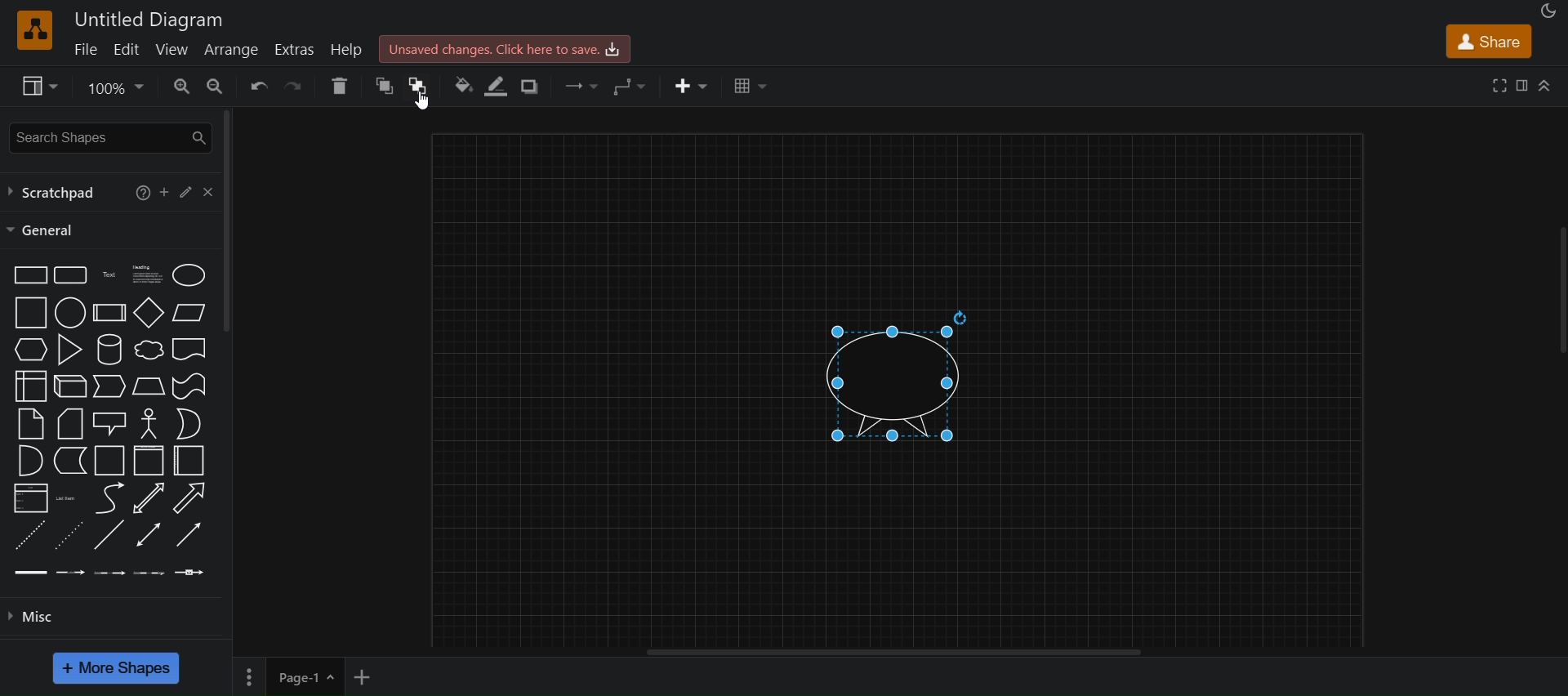 The width and height of the screenshot is (1568, 696). What do you see at coordinates (85, 50) in the screenshot?
I see `file` at bounding box center [85, 50].